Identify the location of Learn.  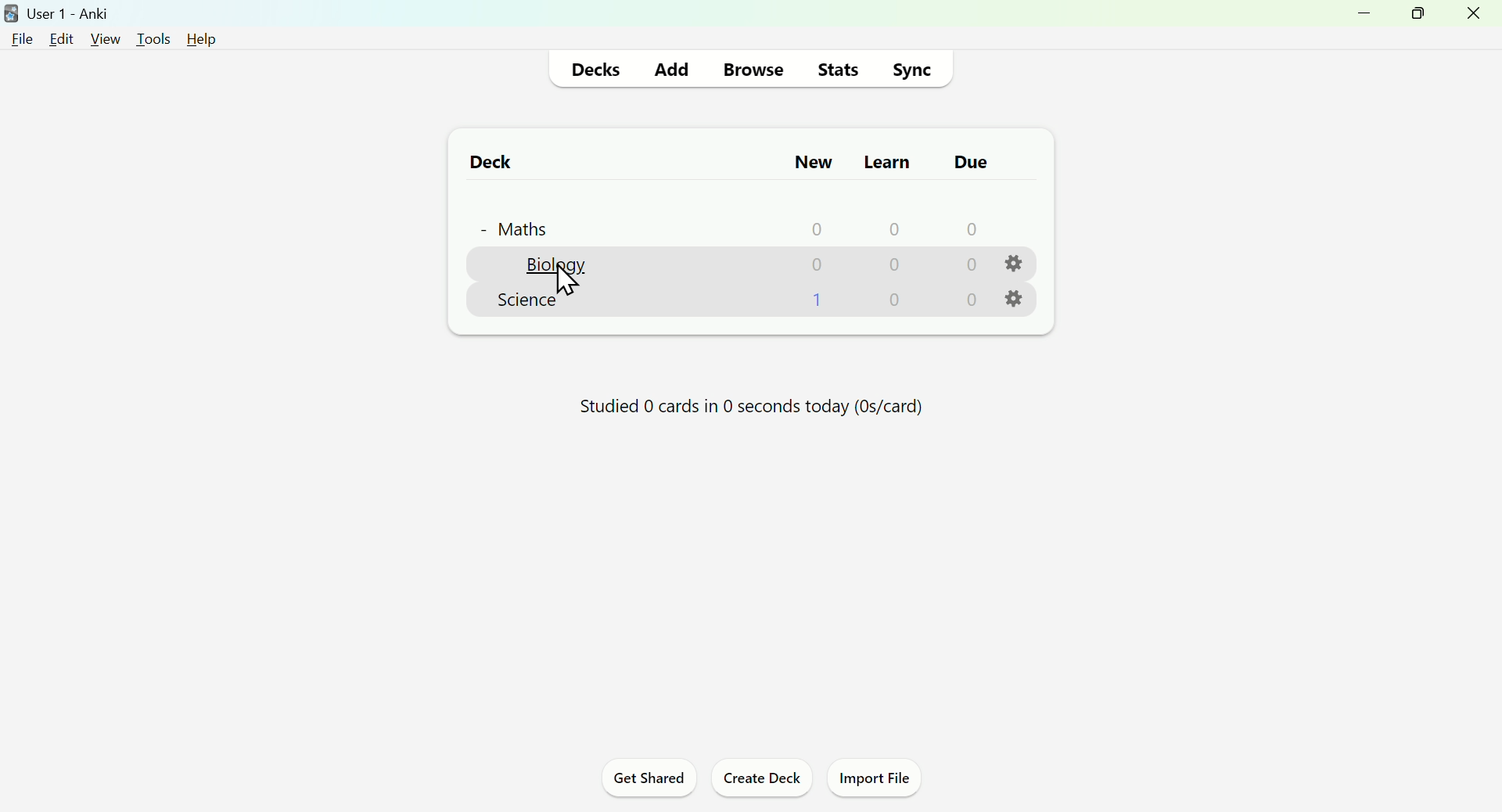
(886, 158).